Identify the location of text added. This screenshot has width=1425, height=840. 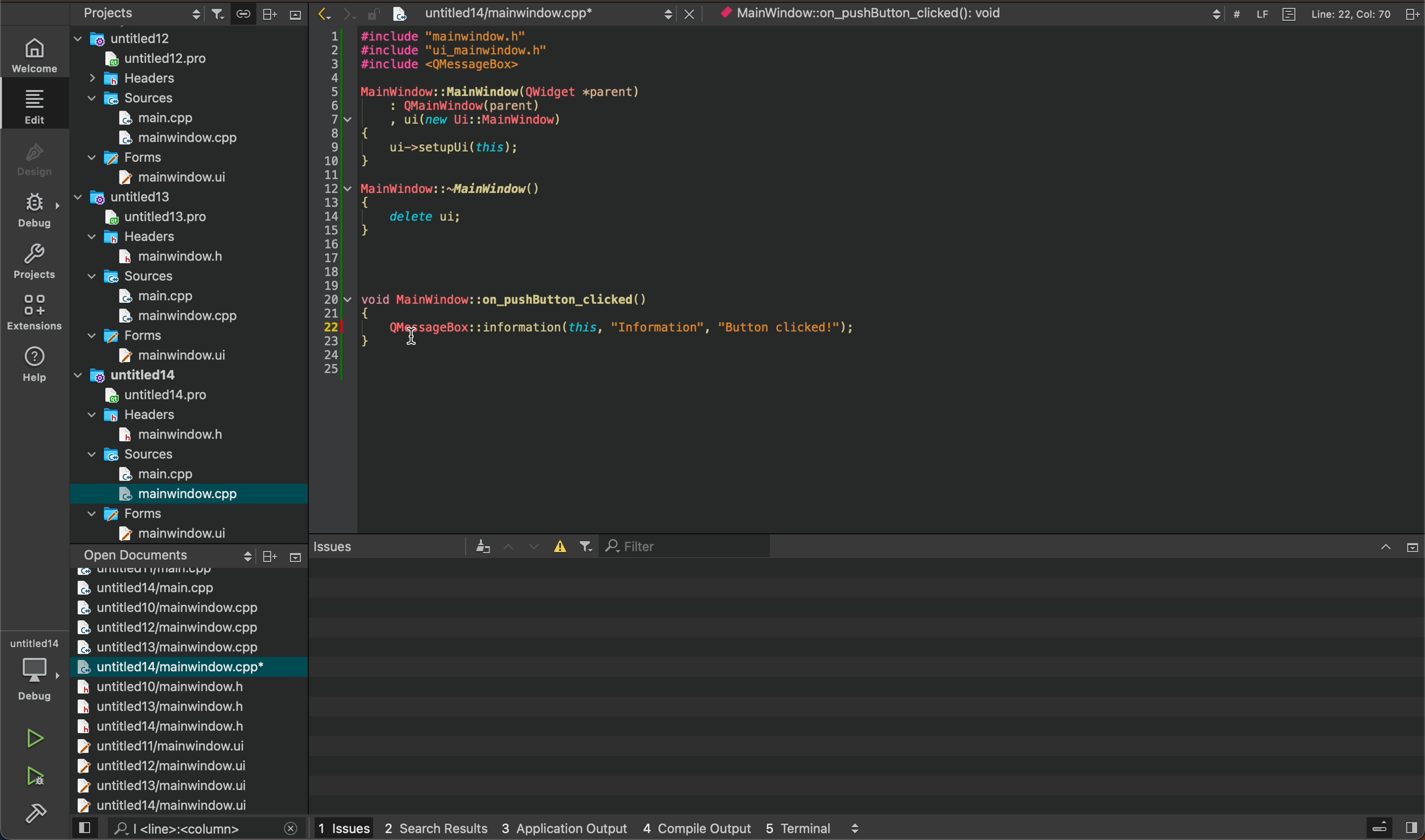
(667, 327).